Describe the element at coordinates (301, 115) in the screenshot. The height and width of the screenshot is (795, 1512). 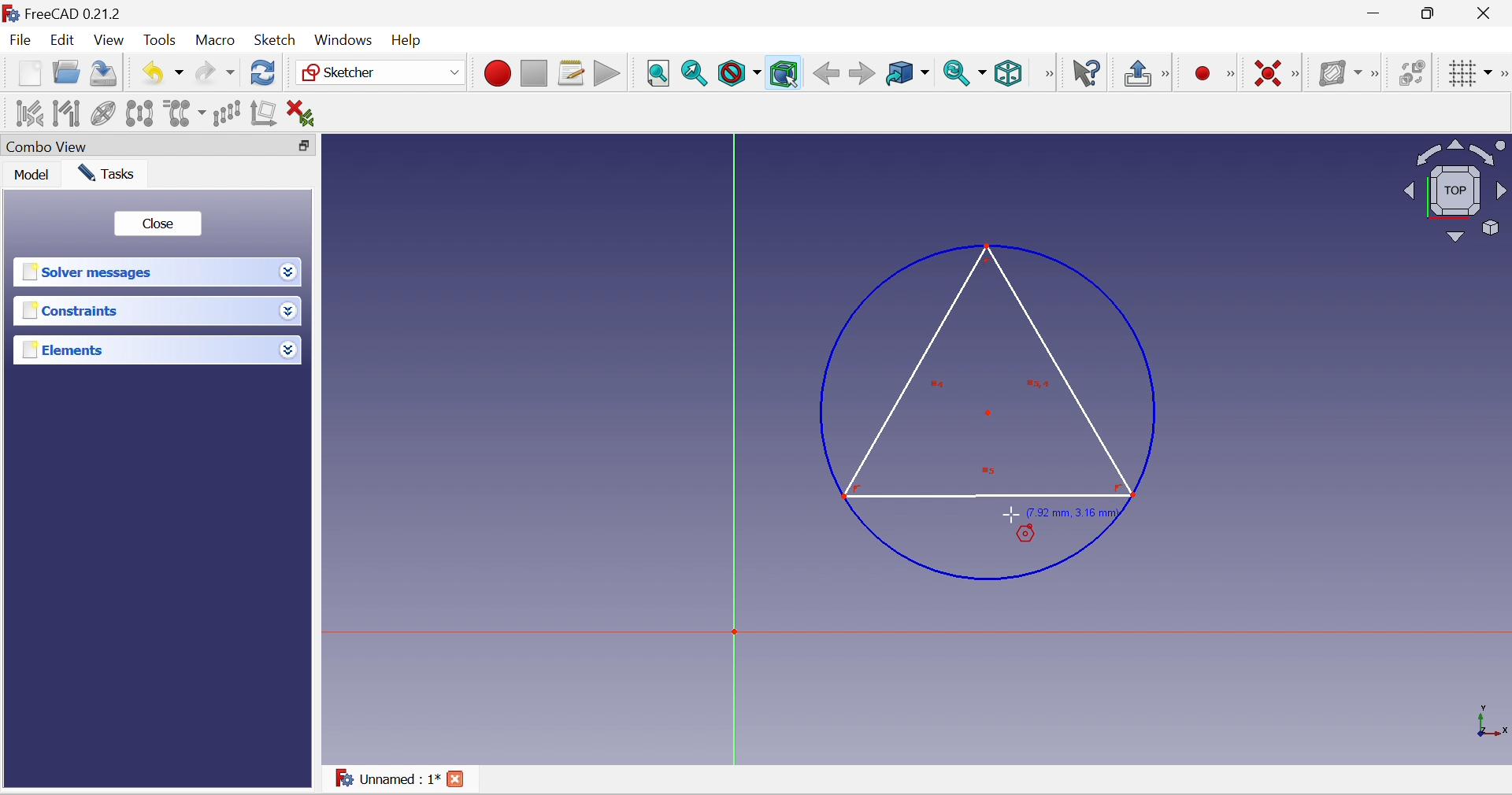
I see `Delete all constraints` at that location.